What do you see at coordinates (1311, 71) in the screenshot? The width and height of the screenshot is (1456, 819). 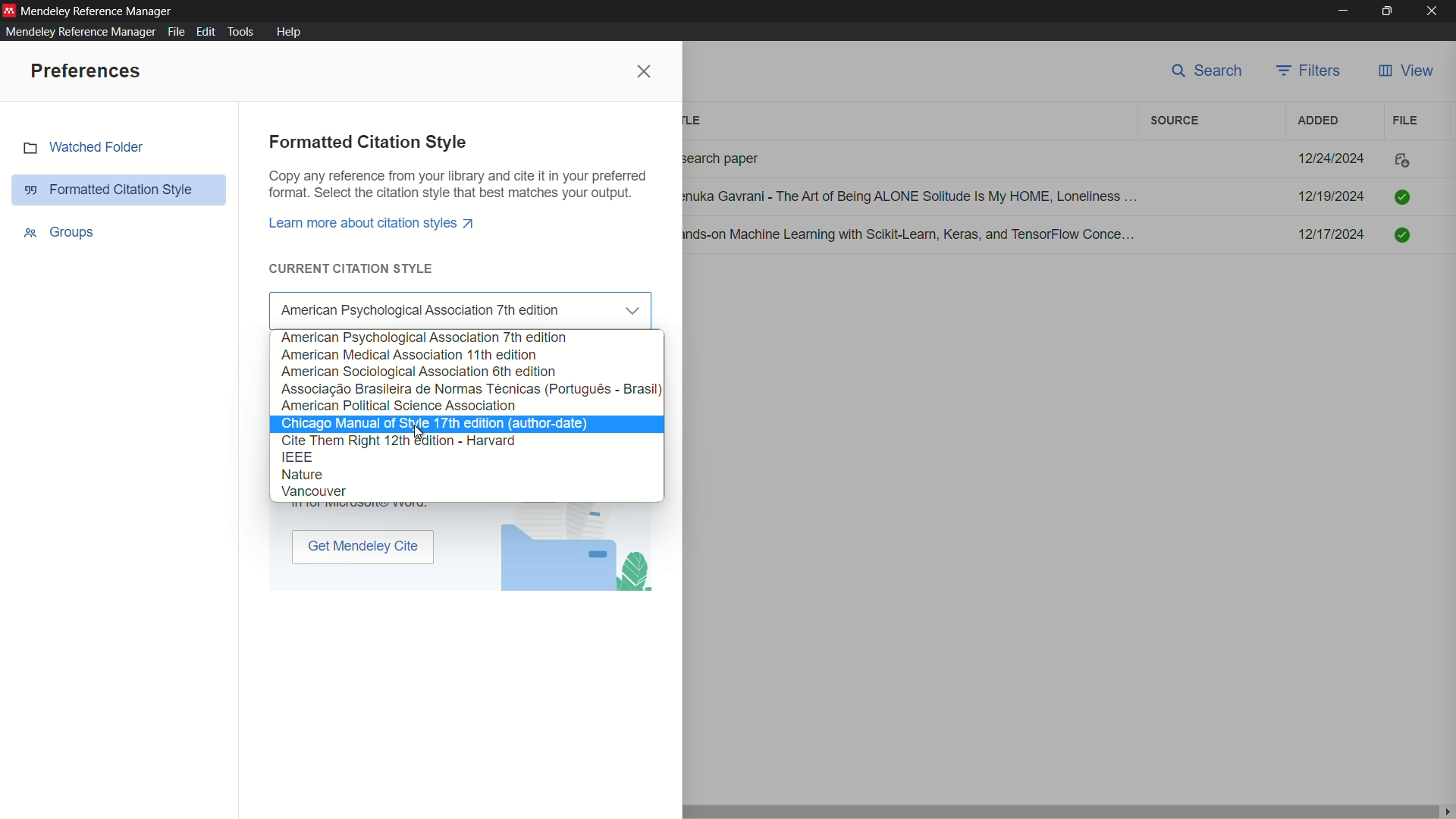 I see `filters` at bounding box center [1311, 71].